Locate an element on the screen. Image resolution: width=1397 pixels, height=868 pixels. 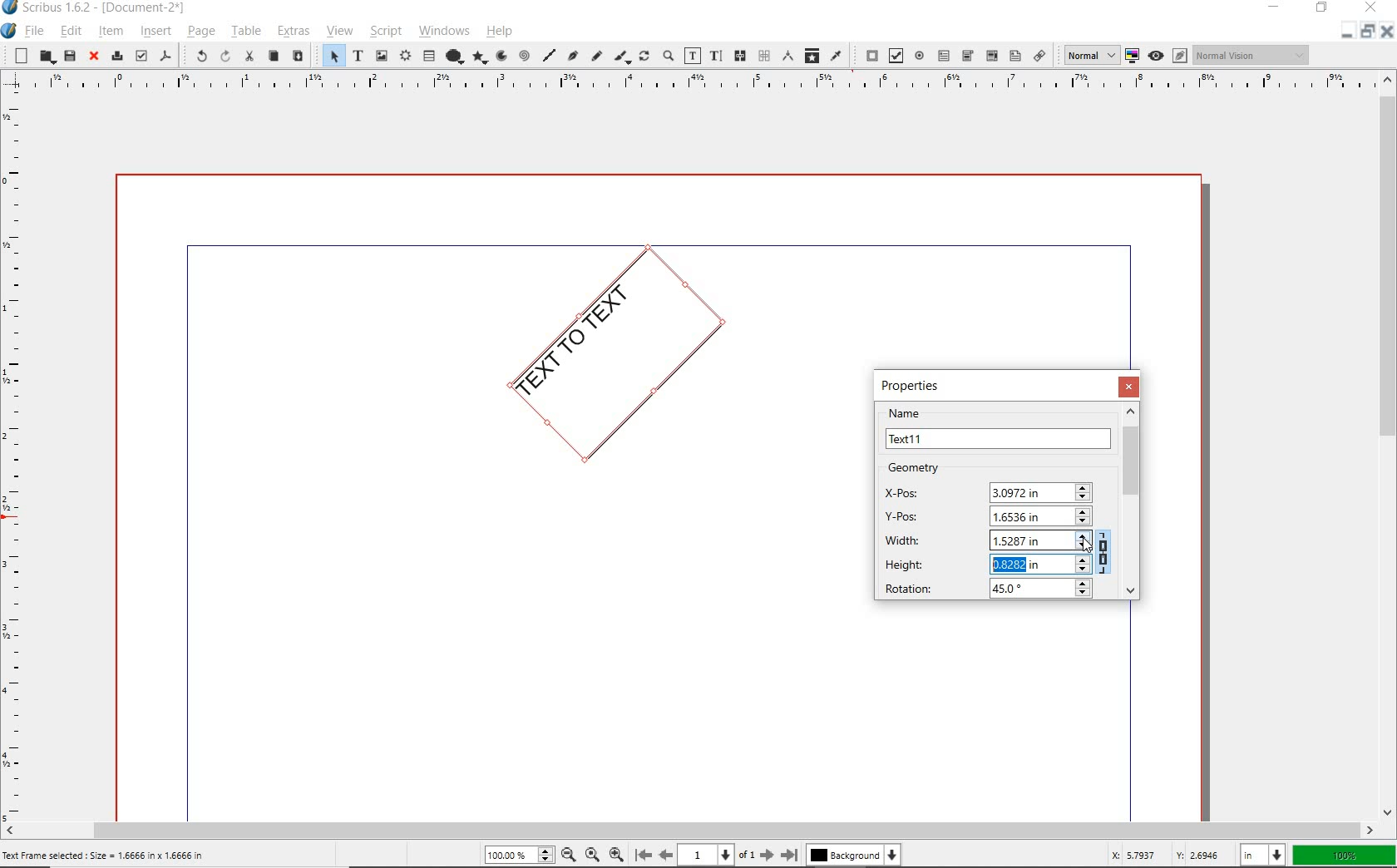
zoom to is located at coordinates (595, 855).